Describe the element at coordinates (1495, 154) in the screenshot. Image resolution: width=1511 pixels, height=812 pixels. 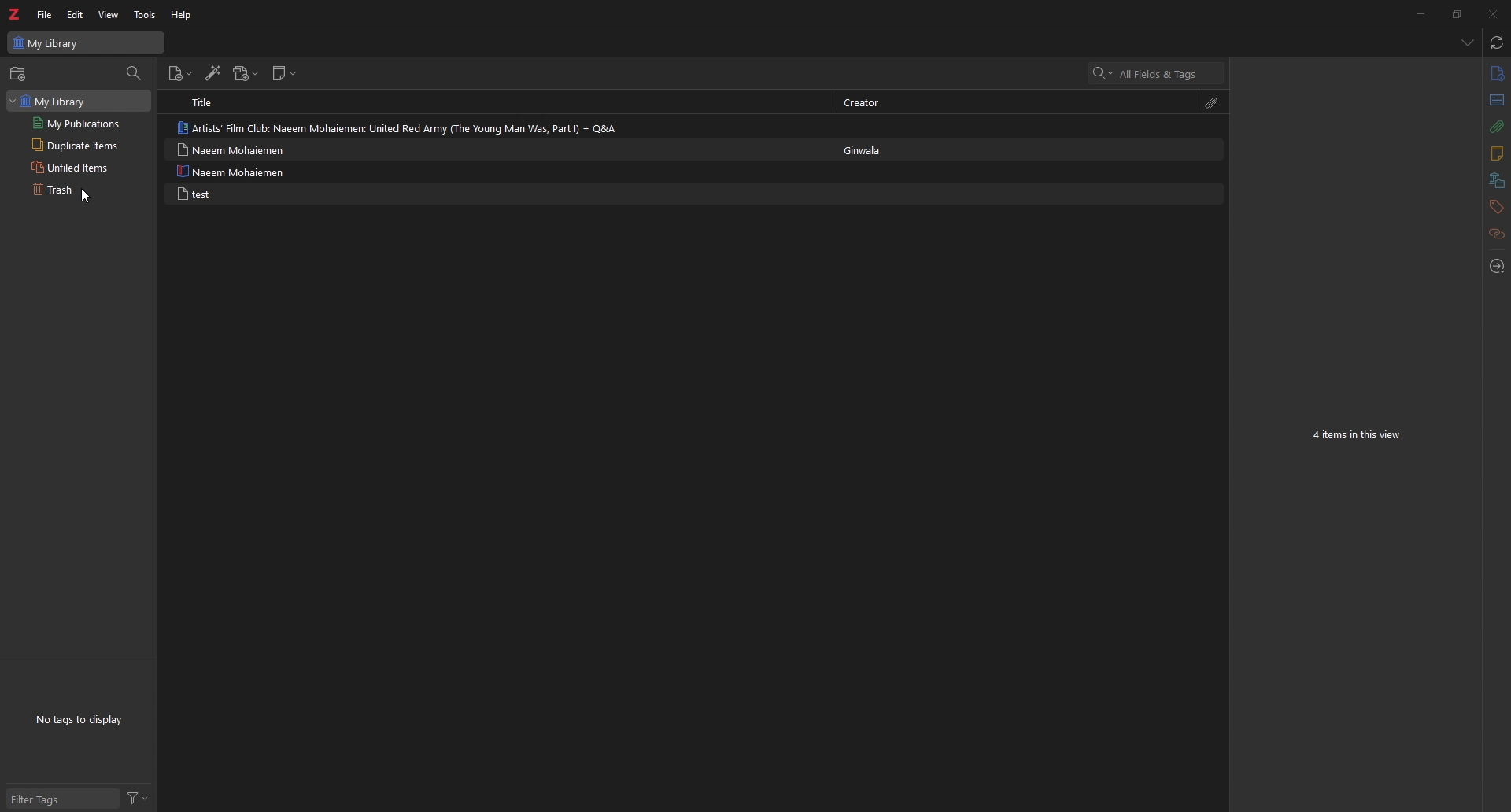
I see `notes` at that location.